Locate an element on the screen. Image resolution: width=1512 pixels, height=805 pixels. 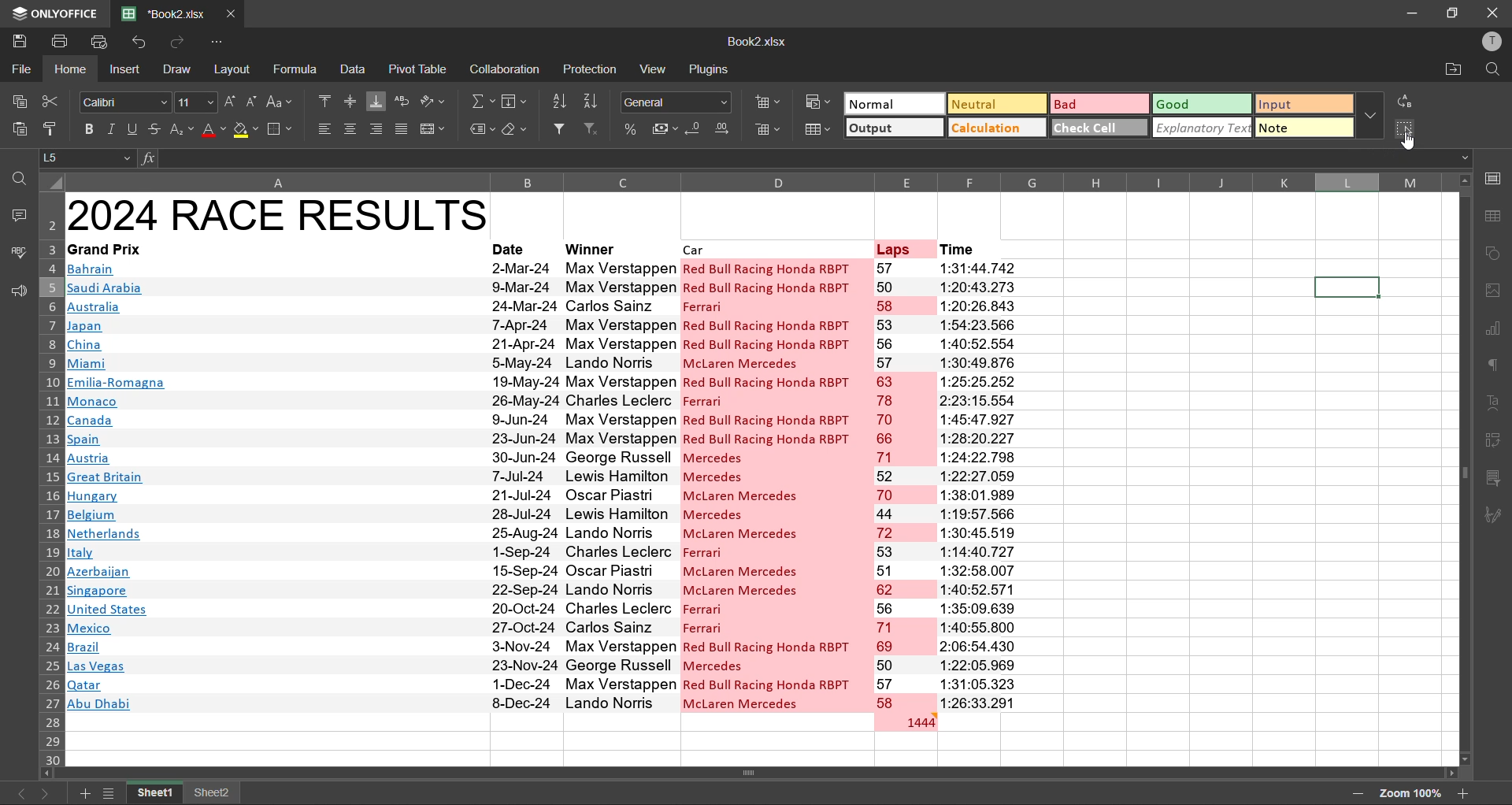
summation is located at coordinates (480, 103).